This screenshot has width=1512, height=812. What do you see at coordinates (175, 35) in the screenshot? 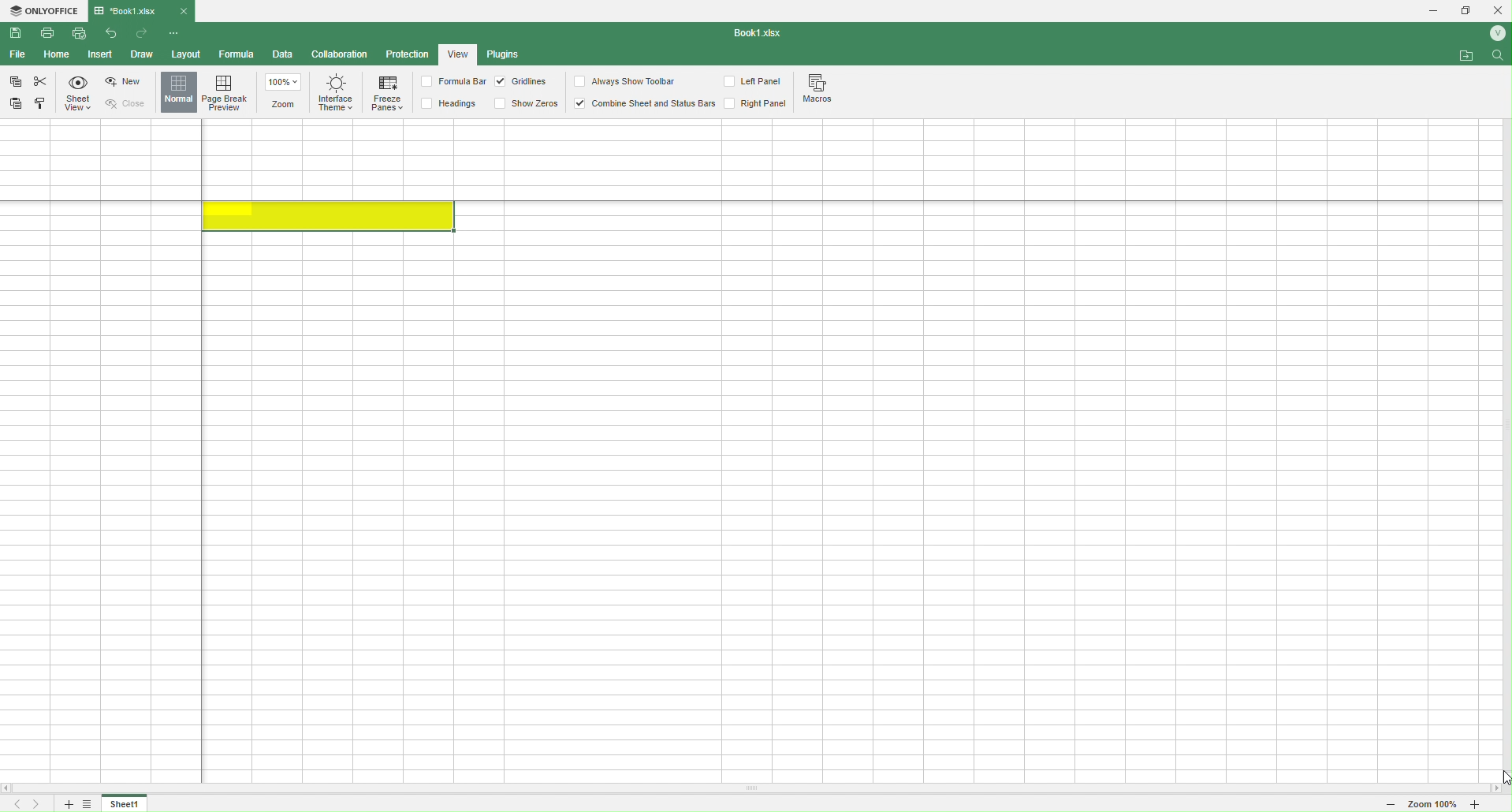
I see `Quick Access Customize Toolbar` at bounding box center [175, 35].